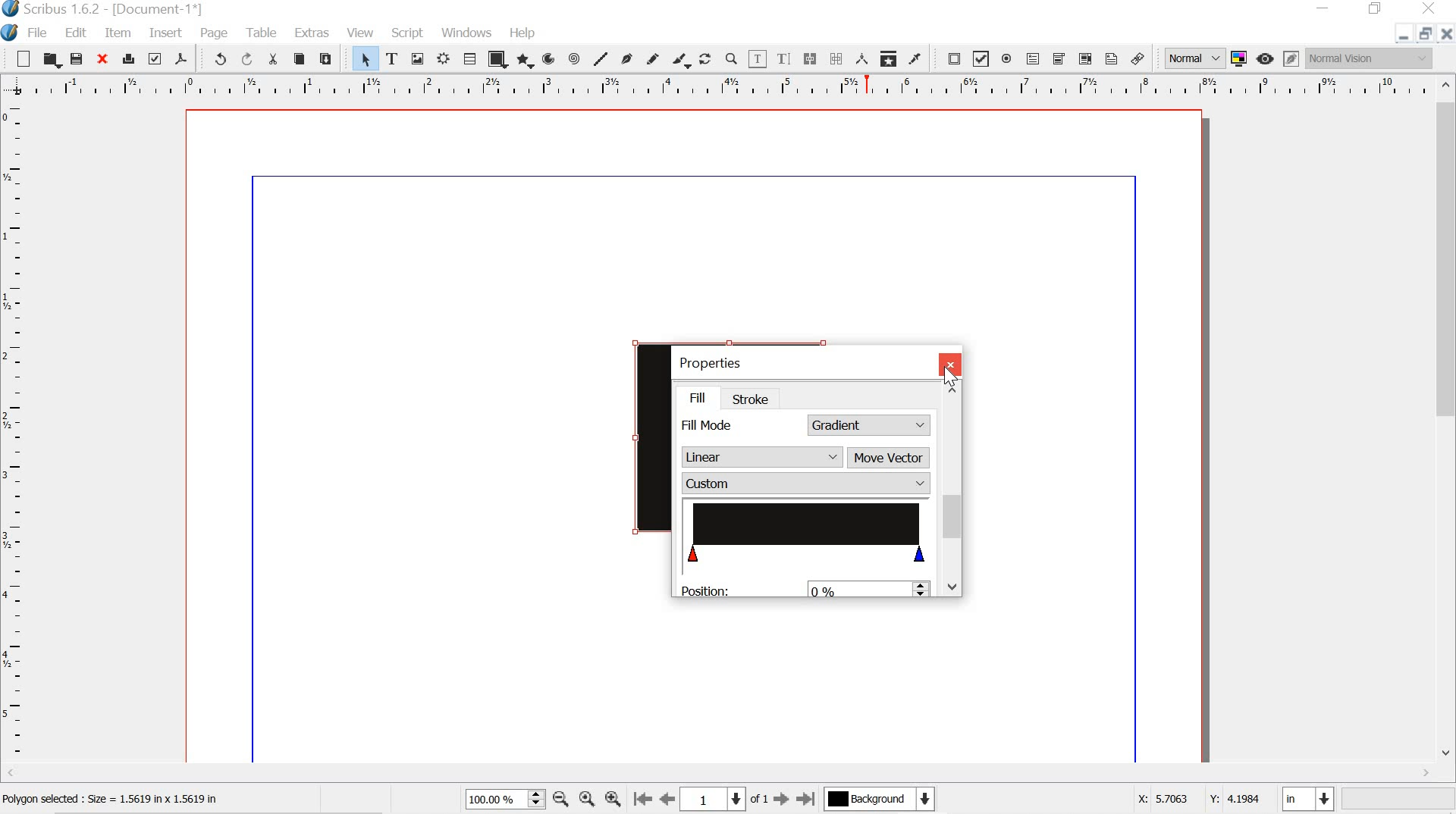  Describe the element at coordinates (311, 33) in the screenshot. I see `extras` at that location.